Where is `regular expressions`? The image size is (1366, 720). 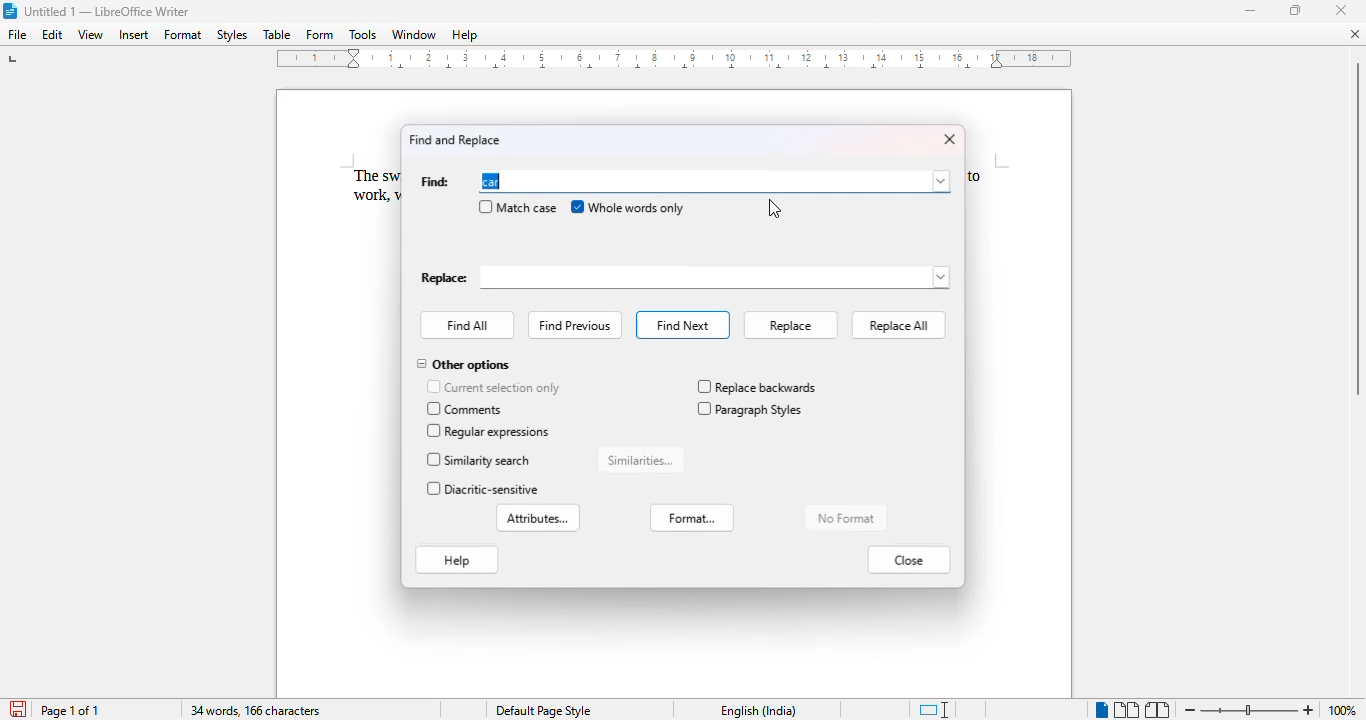 regular expressions is located at coordinates (490, 431).